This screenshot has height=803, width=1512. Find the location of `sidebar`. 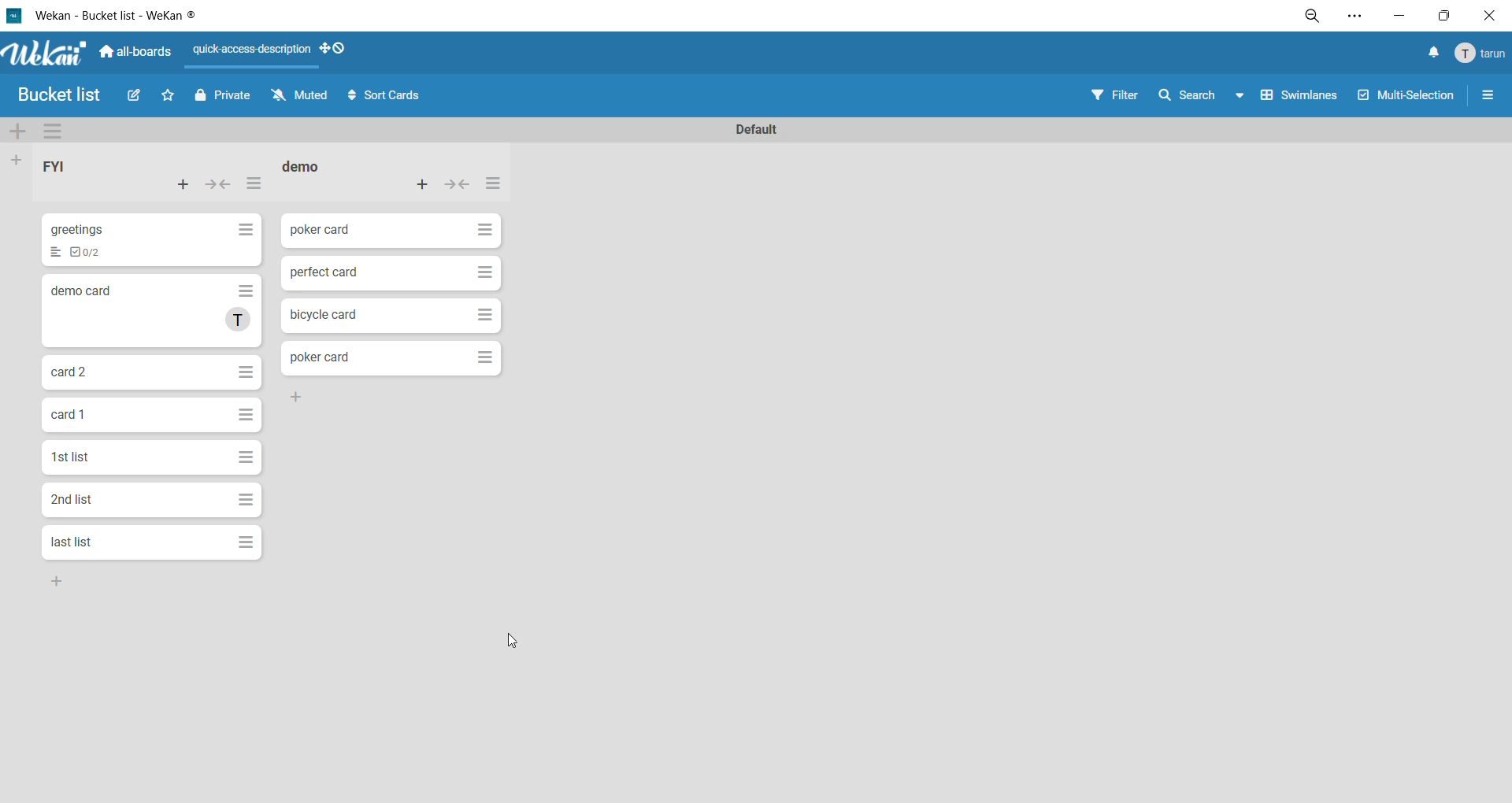

sidebar is located at coordinates (1488, 98).